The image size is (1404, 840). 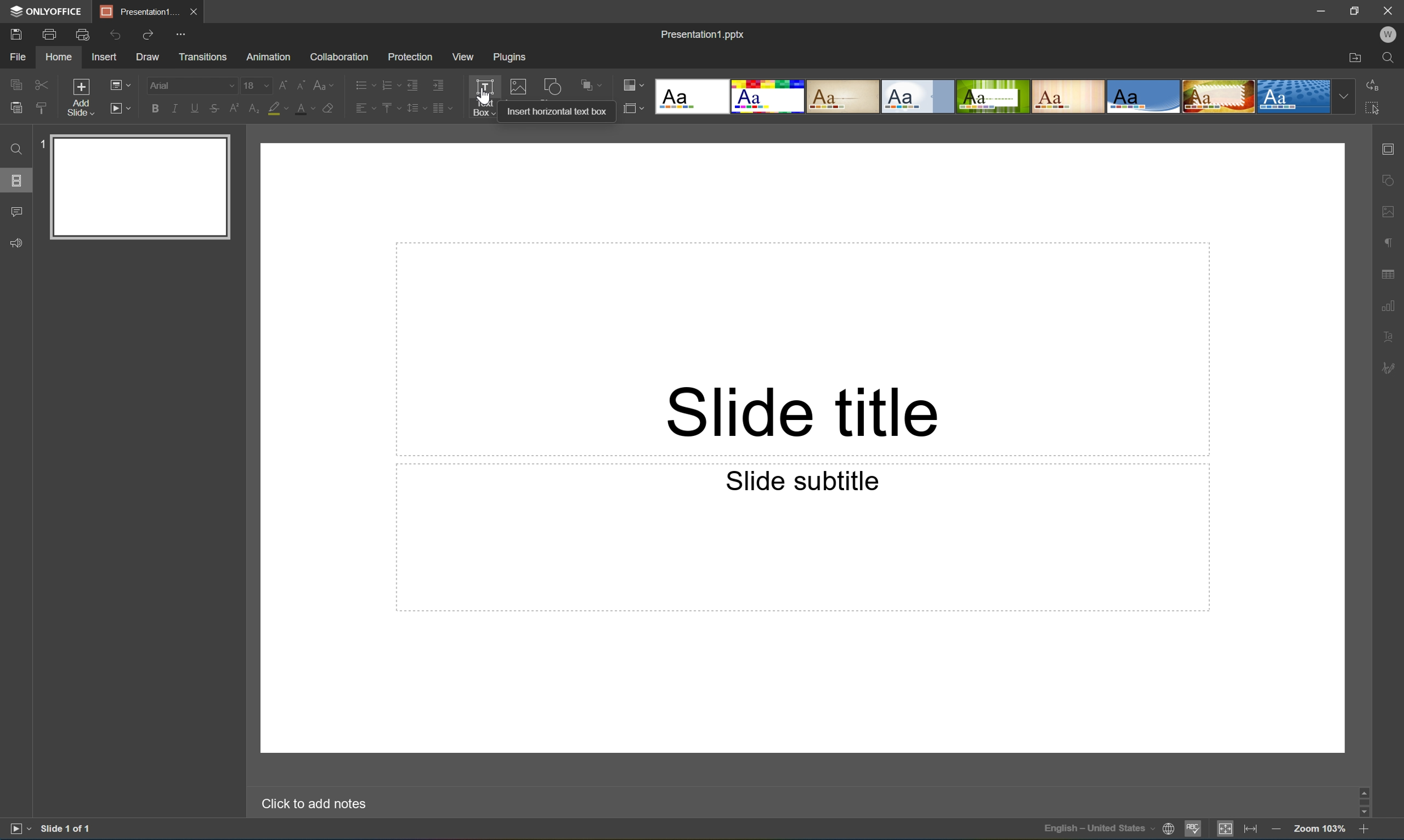 I want to click on Draw, so click(x=149, y=57).